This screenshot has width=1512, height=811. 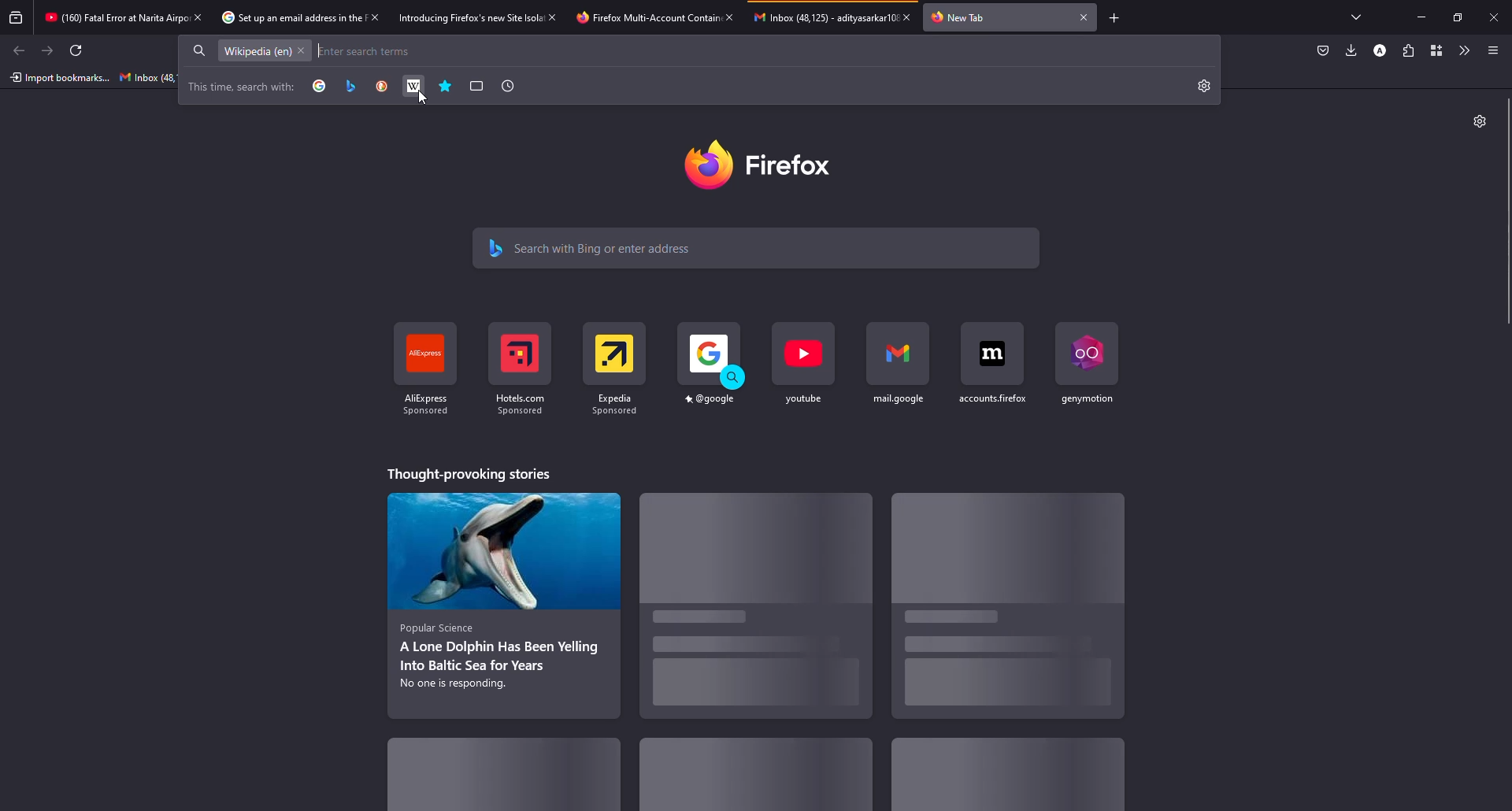 I want to click on menu, so click(x=1493, y=50).